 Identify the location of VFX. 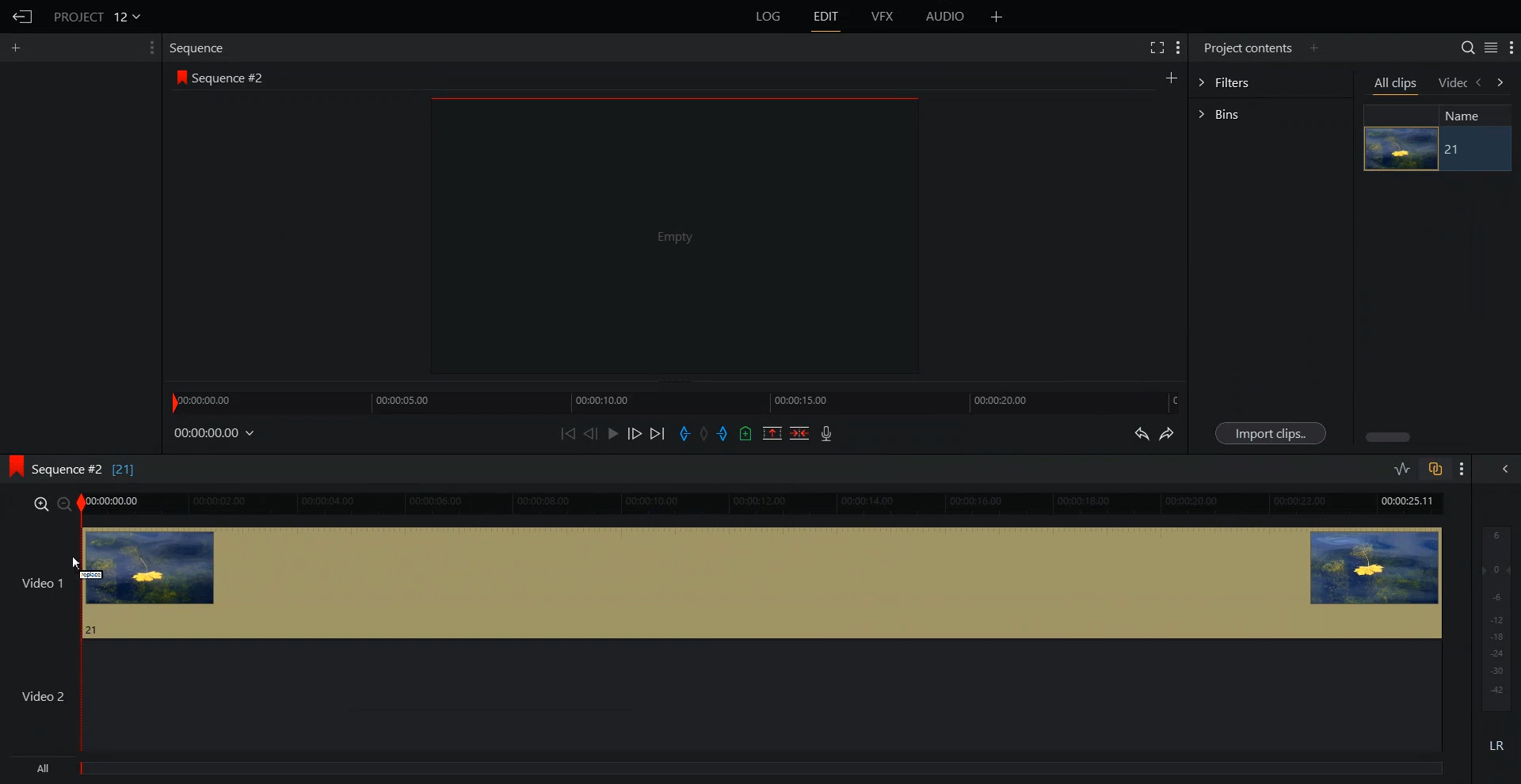
(884, 17).